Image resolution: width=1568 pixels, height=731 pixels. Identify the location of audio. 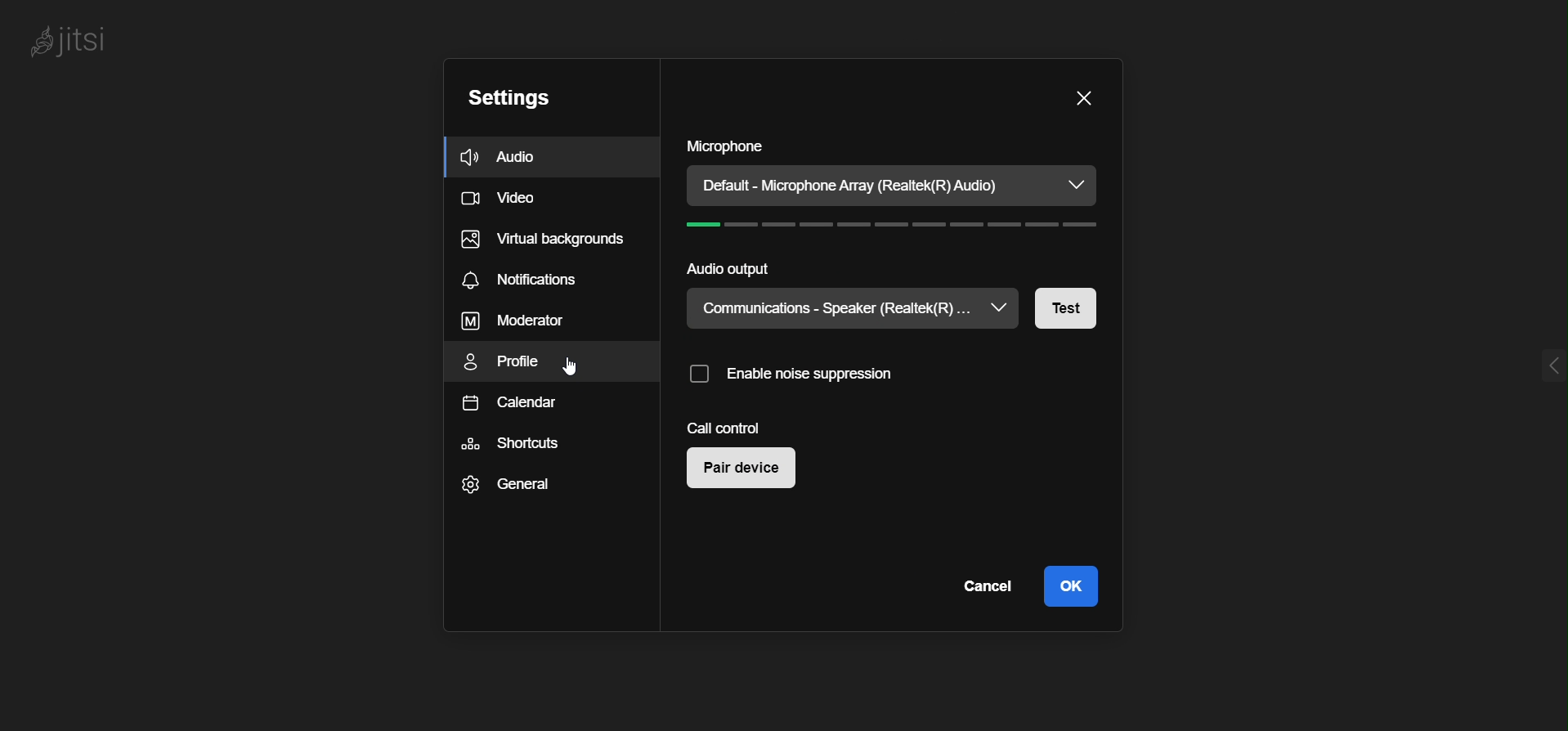
(520, 157).